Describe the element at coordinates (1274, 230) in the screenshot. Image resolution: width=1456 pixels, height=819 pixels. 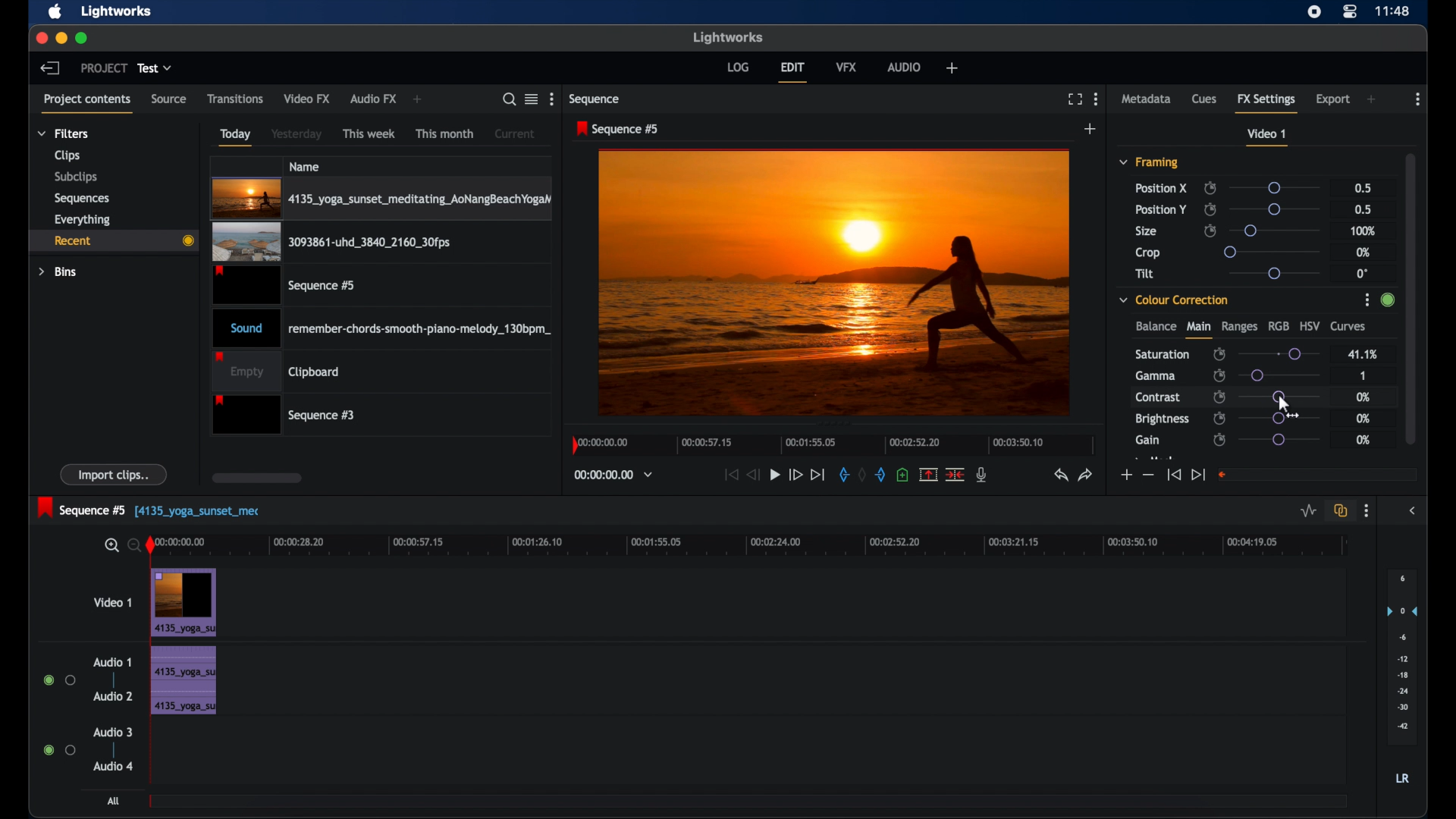
I see `slider` at that location.